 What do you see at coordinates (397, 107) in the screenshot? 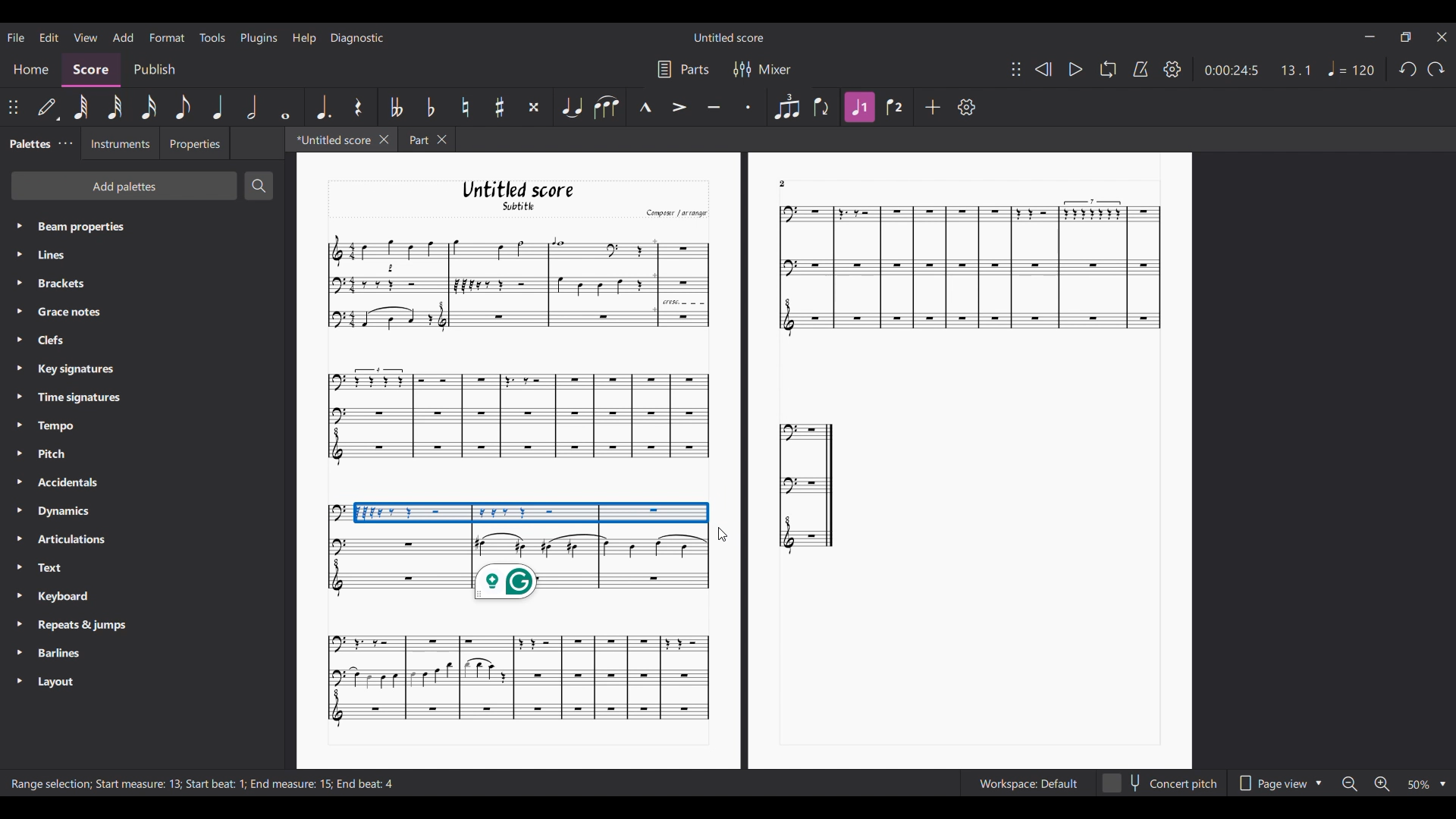
I see `Toggle double flat` at bounding box center [397, 107].